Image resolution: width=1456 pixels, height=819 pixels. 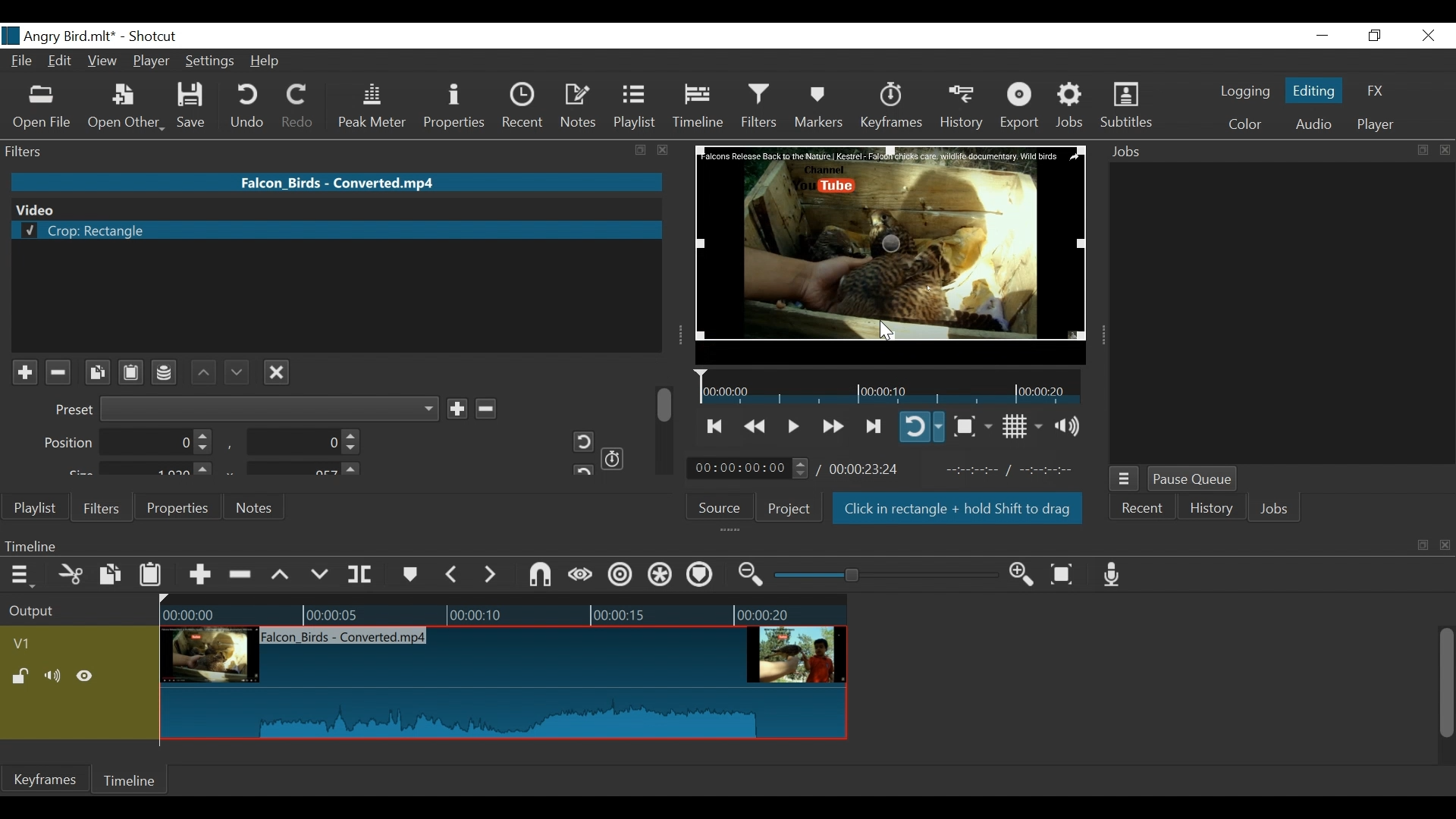 What do you see at coordinates (204, 372) in the screenshot?
I see `up` at bounding box center [204, 372].